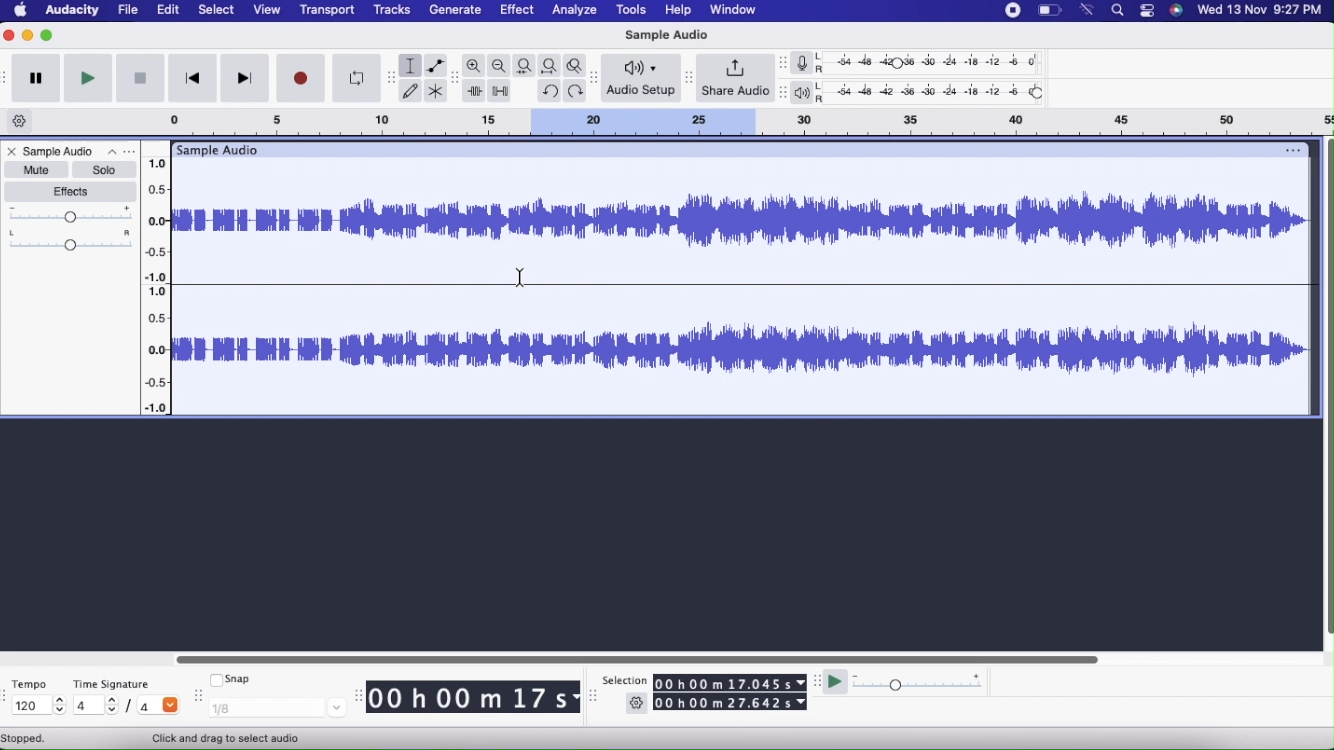  Describe the element at coordinates (1261, 11) in the screenshot. I see `date and time` at that location.